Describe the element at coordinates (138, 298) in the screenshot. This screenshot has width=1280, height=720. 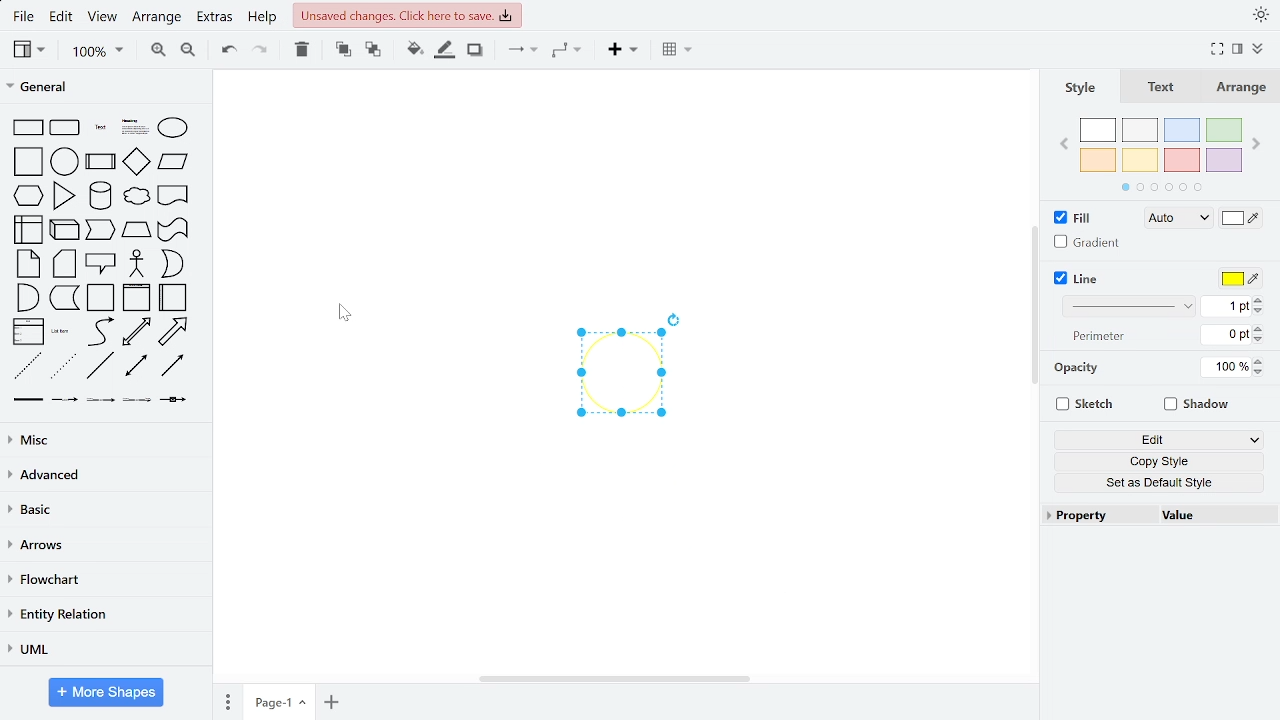
I see `vertical container` at that location.